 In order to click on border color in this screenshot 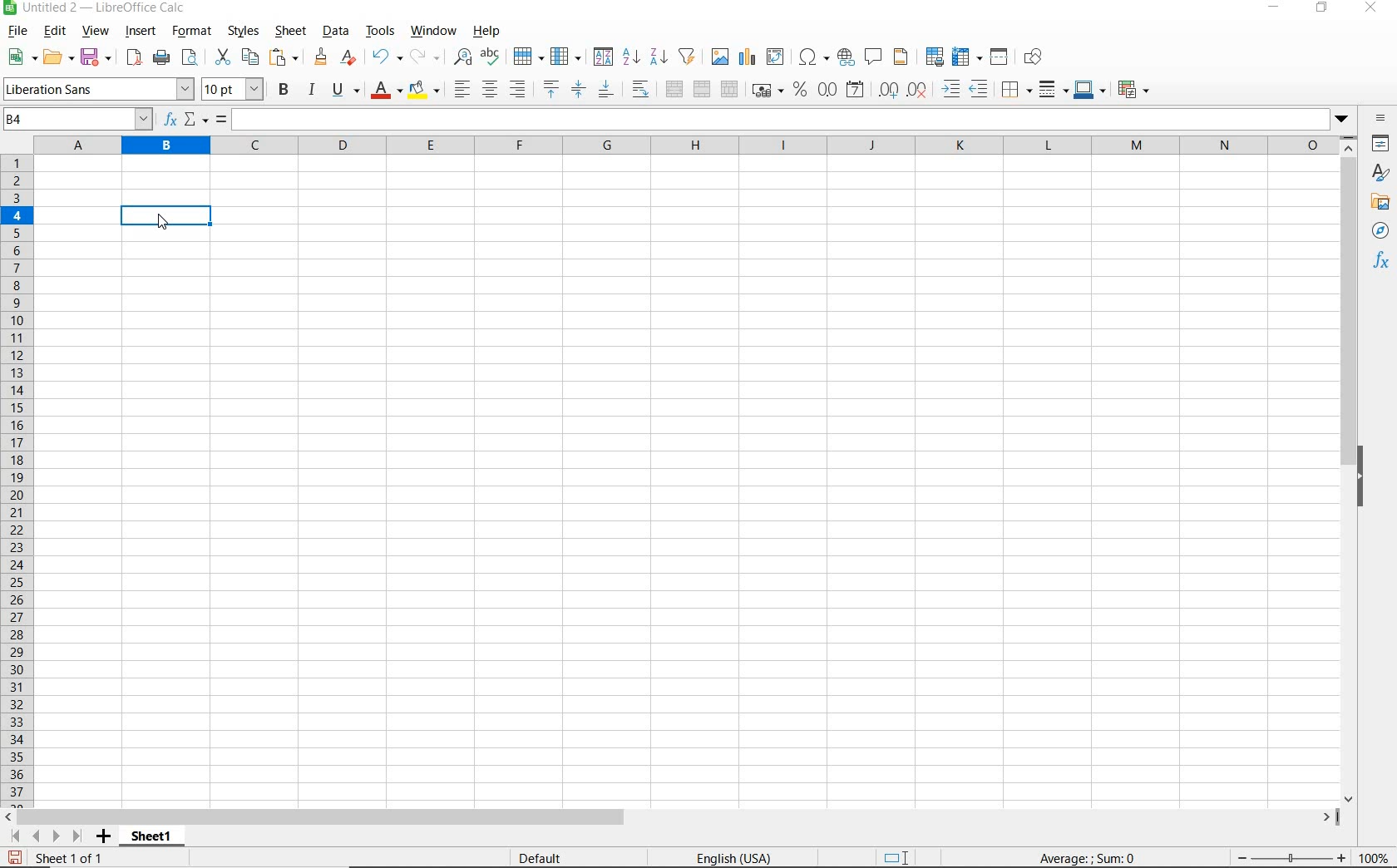, I will do `click(1090, 91)`.